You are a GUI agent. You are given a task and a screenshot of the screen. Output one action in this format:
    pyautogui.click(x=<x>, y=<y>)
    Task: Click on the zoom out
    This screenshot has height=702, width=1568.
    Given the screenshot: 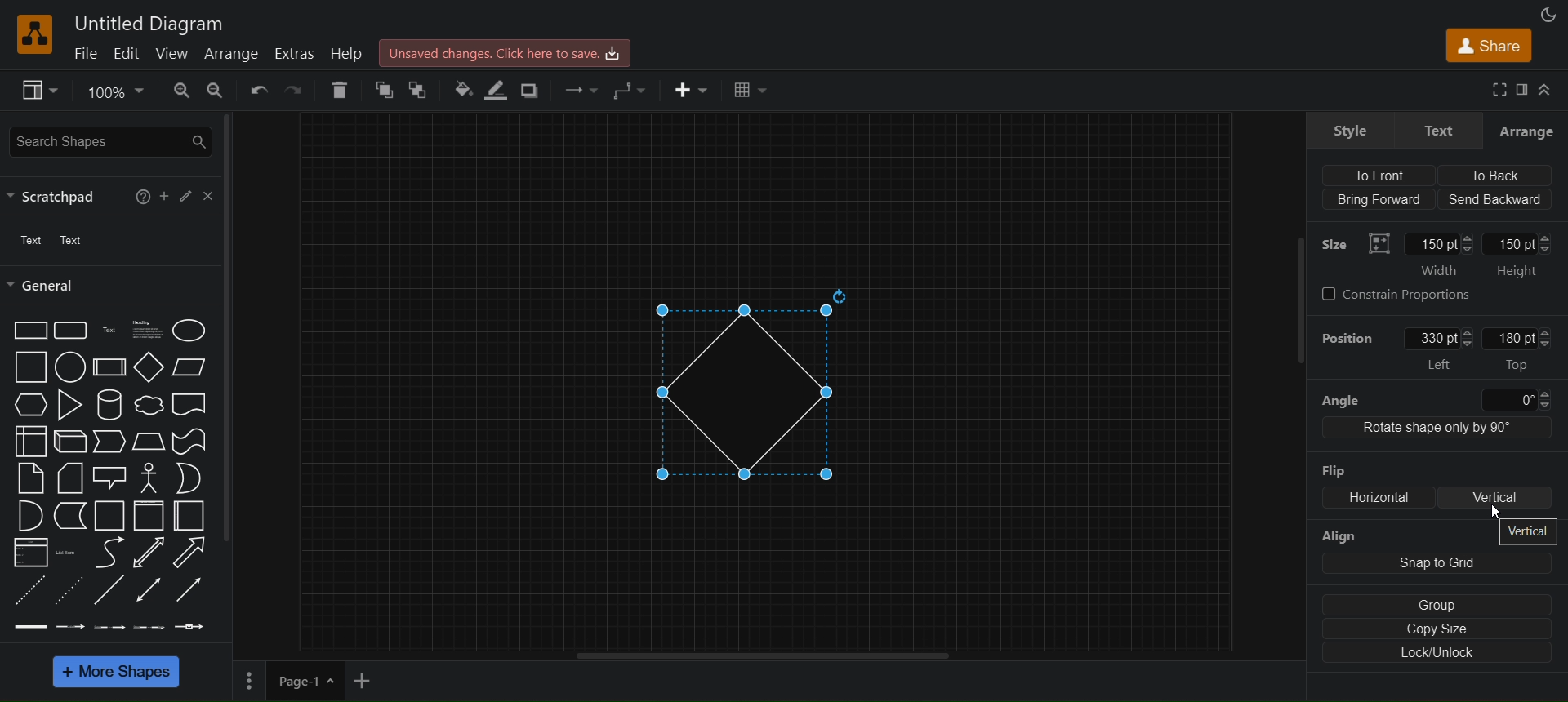 What is the action you would take?
    pyautogui.click(x=217, y=90)
    